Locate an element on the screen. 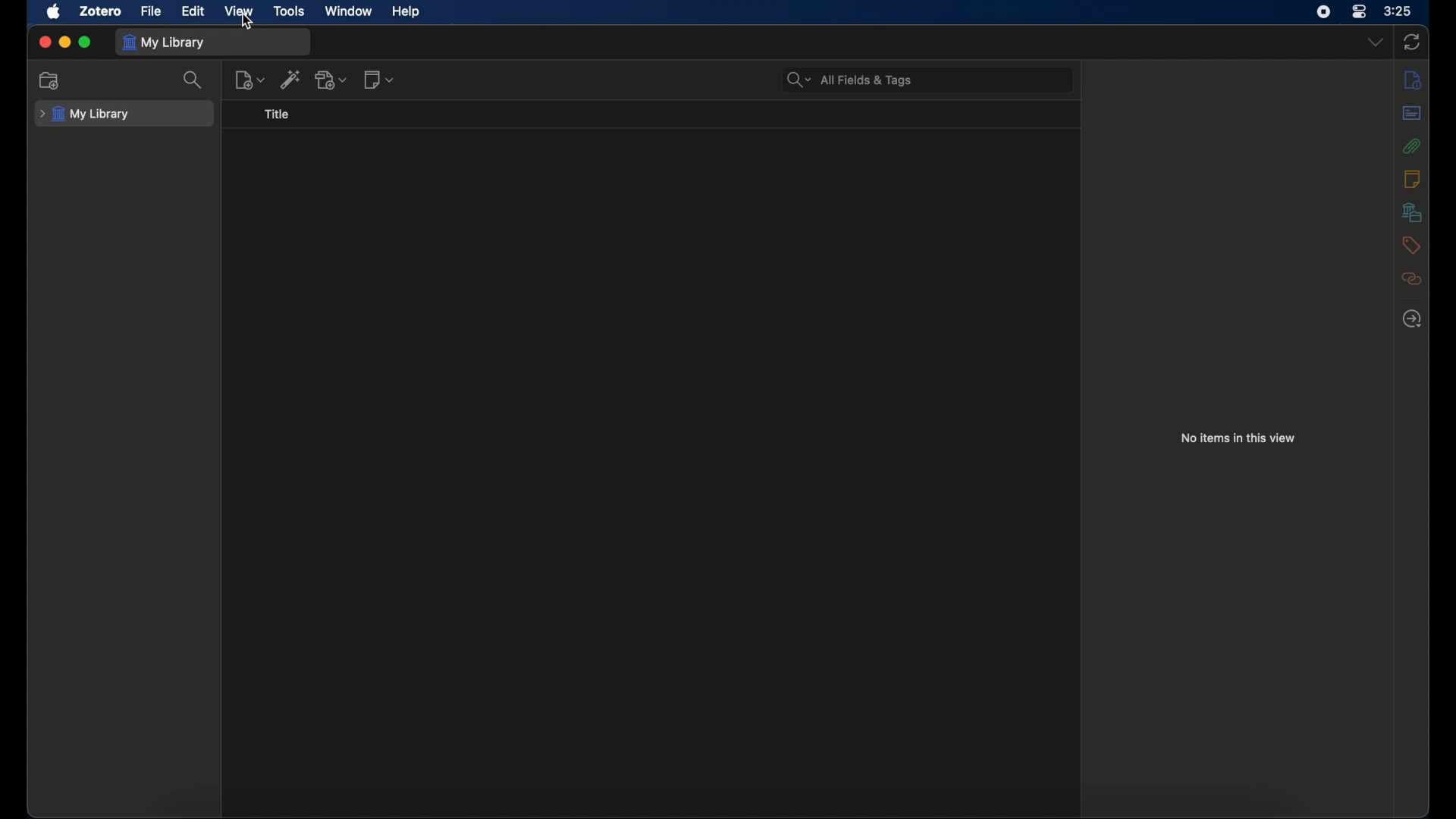 This screenshot has width=1456, height=819. my library is located at coordinates (86, 114).